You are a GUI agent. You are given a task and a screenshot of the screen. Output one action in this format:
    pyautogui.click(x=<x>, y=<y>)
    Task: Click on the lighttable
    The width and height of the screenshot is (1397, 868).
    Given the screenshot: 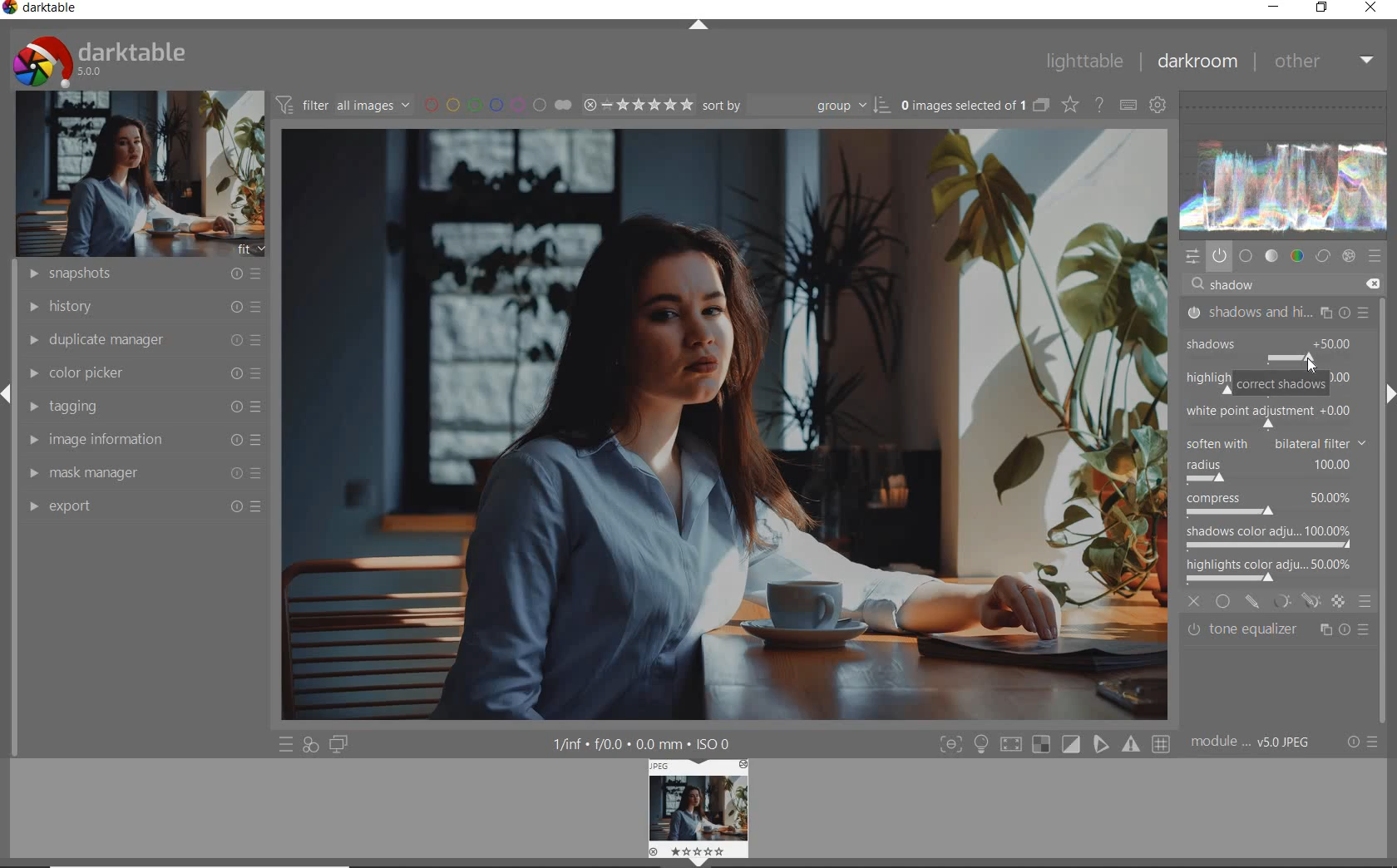 What is the action you would take?
    pyautogui.click(x=1084, y=62)
    